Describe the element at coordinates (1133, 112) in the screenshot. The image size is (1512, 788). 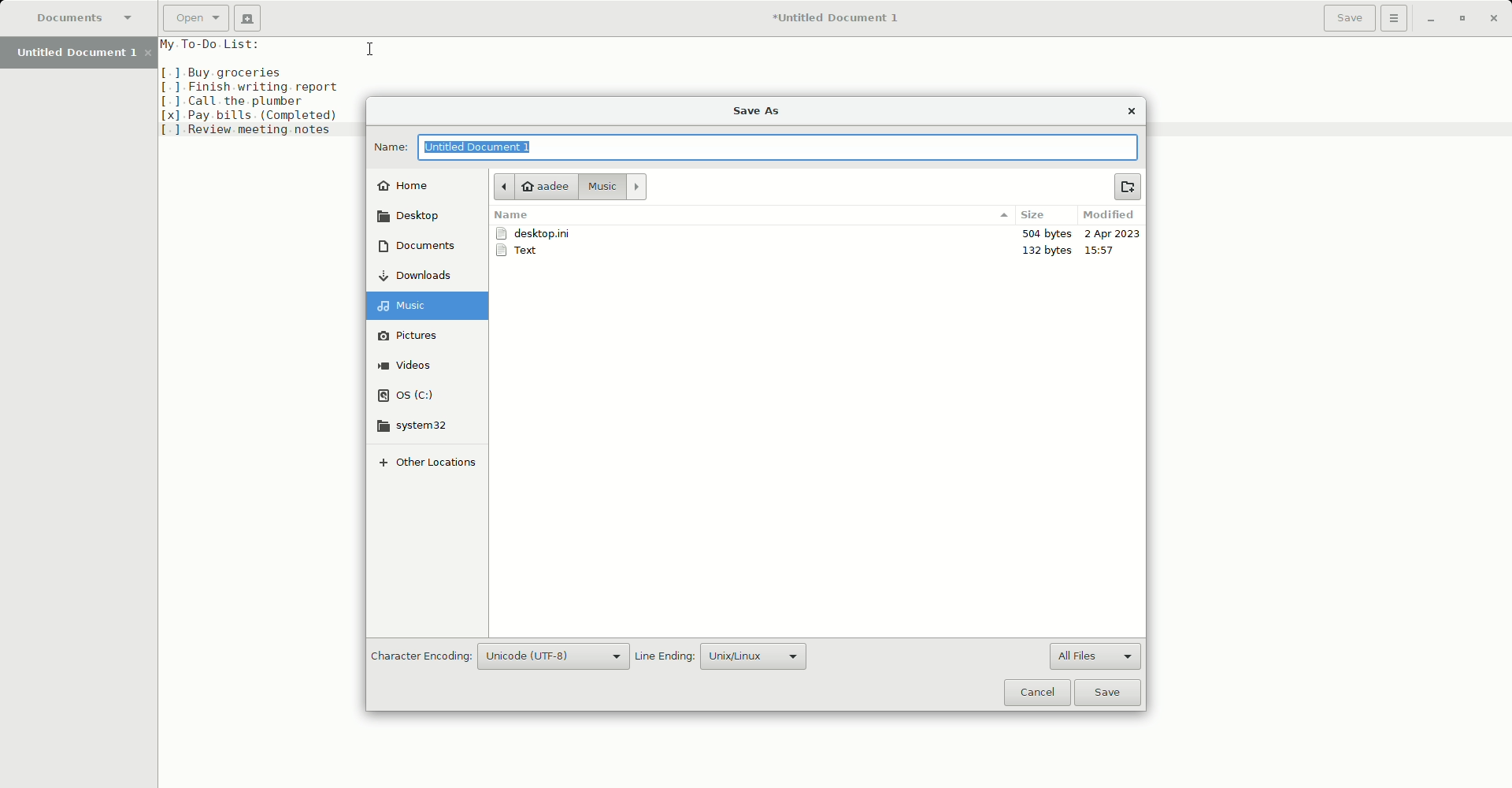
I see `Close` at that location.